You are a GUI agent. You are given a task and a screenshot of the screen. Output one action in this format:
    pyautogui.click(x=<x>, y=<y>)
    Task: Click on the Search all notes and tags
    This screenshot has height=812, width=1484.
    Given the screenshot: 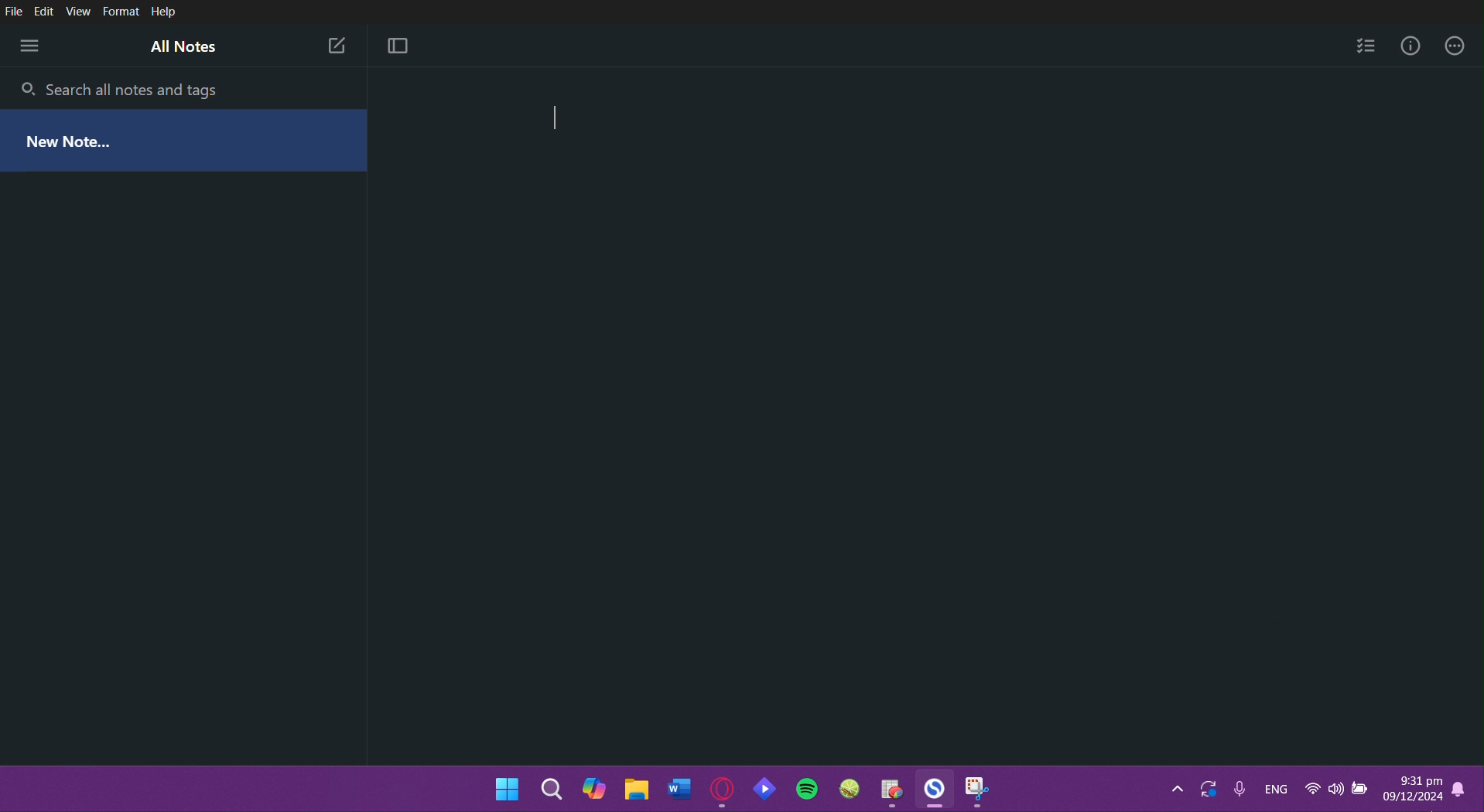 What is the action you would take?
    pyautogui.click(x=138, y=87)
    